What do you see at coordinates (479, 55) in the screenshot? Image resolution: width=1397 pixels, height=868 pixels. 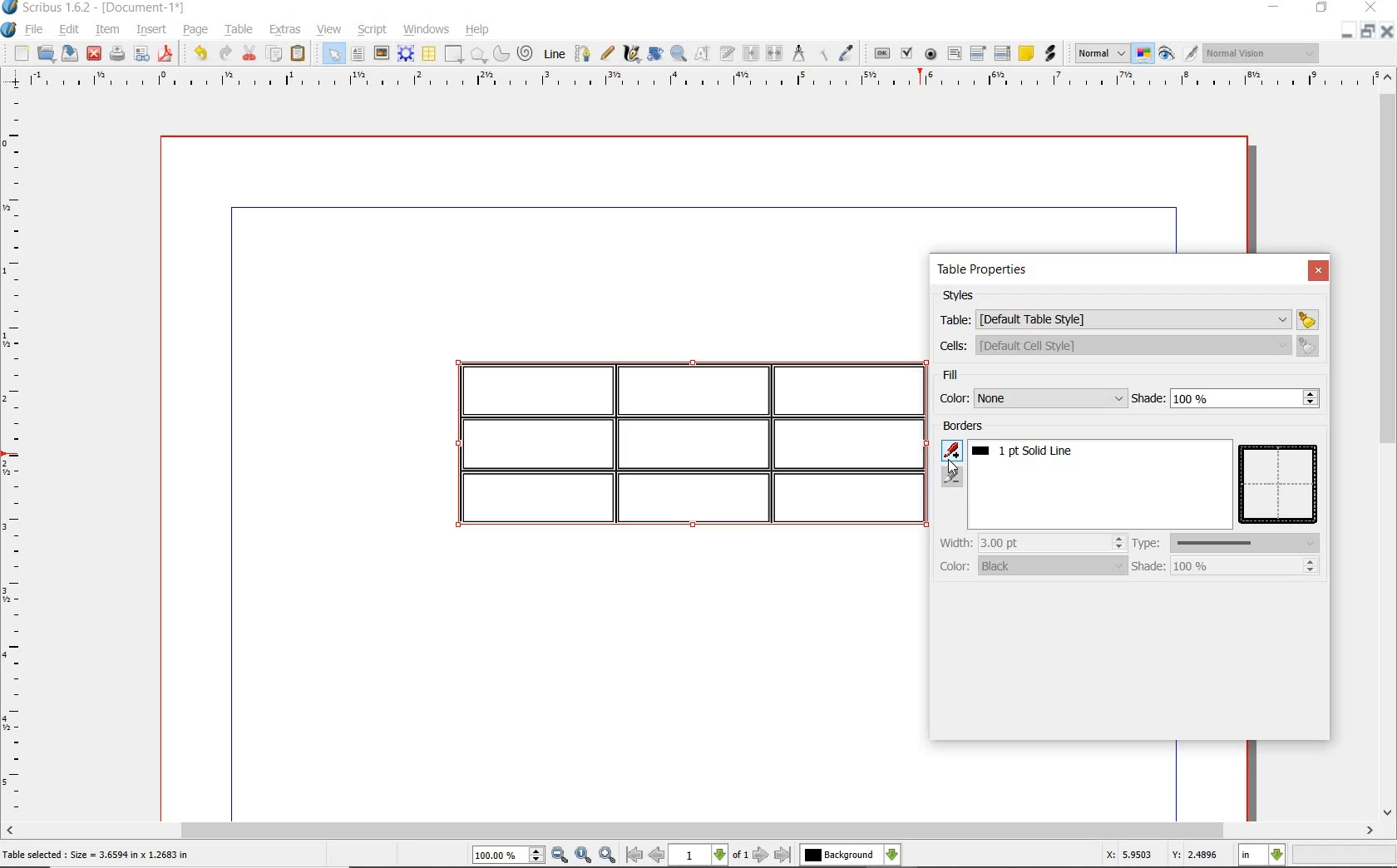 I see `polygon` at bounding box center [479, 55].